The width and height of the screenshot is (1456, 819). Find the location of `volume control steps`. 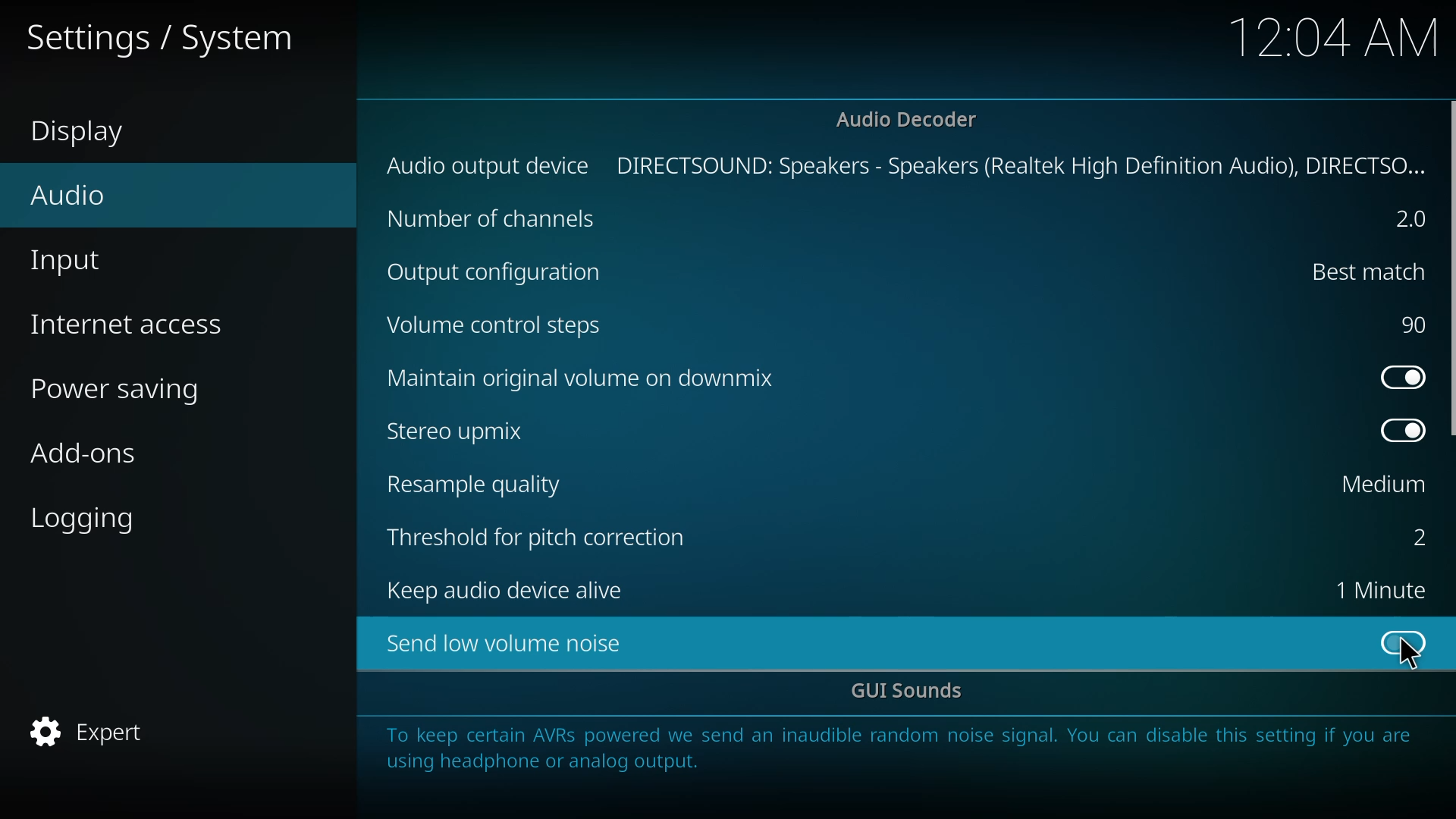

volume control steps is located at coordinates (501, 325).